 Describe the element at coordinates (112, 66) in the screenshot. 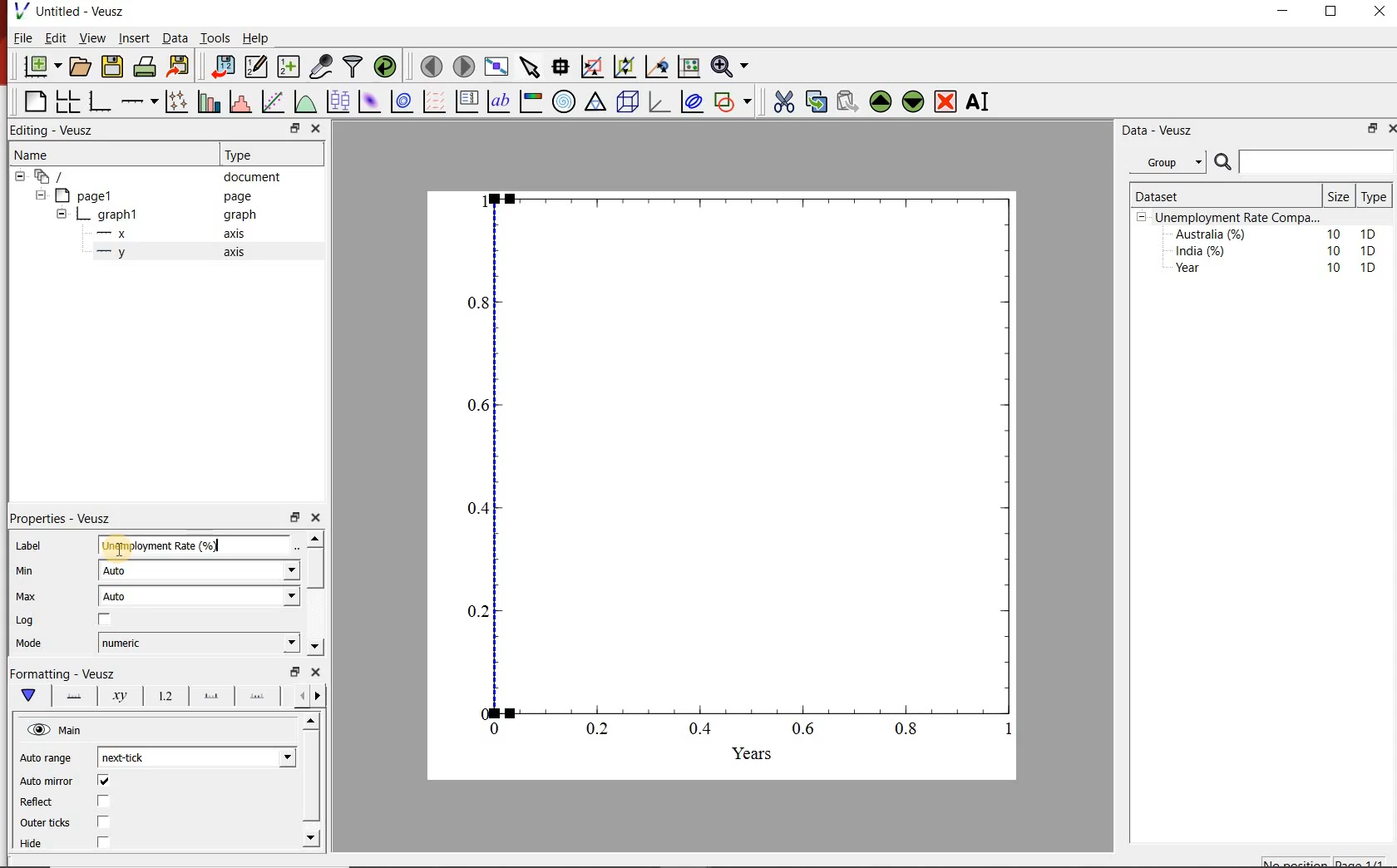

I see `save document` at that location.